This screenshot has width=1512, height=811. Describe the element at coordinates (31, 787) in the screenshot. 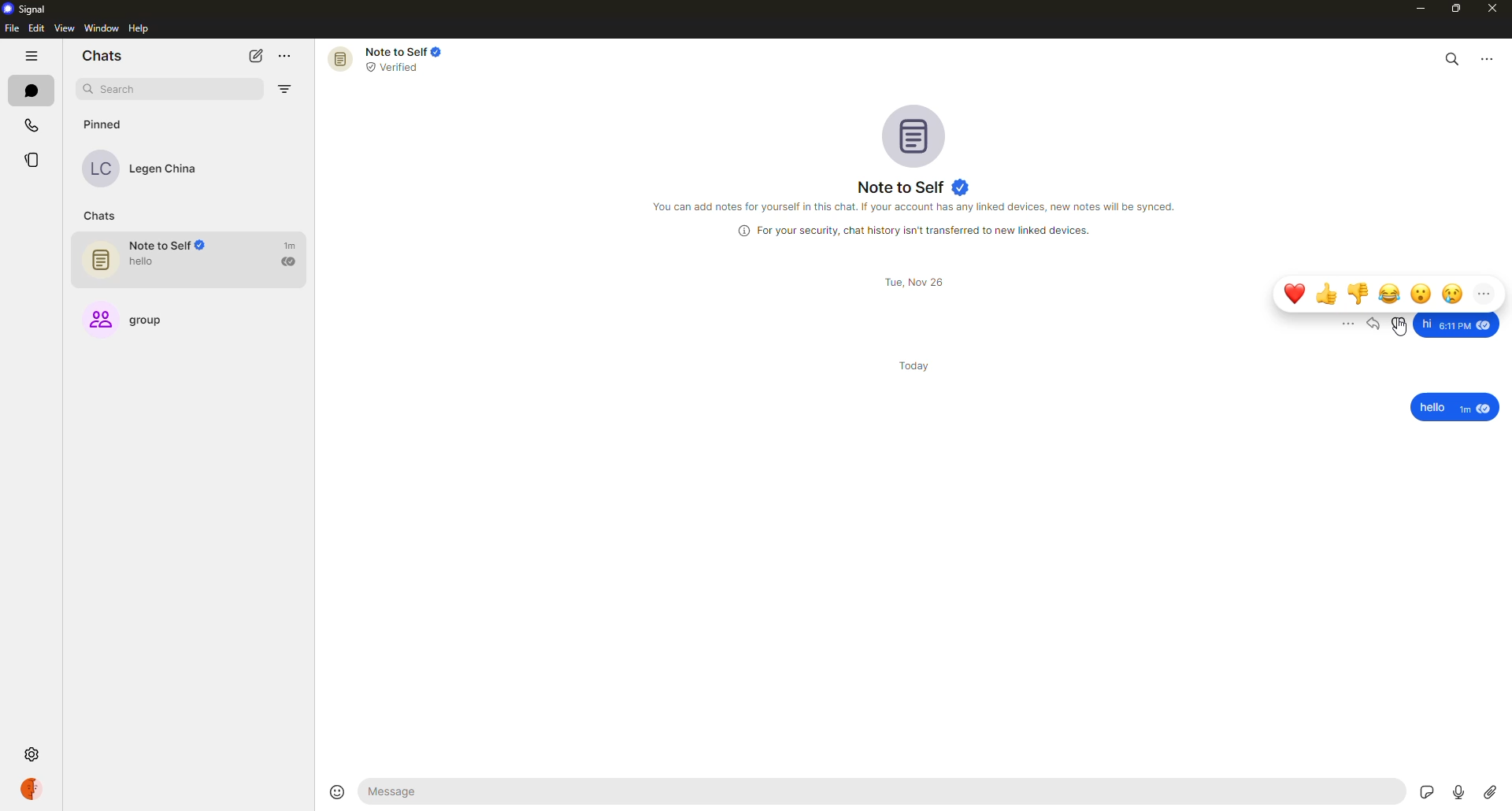

I see `profile` at that location.